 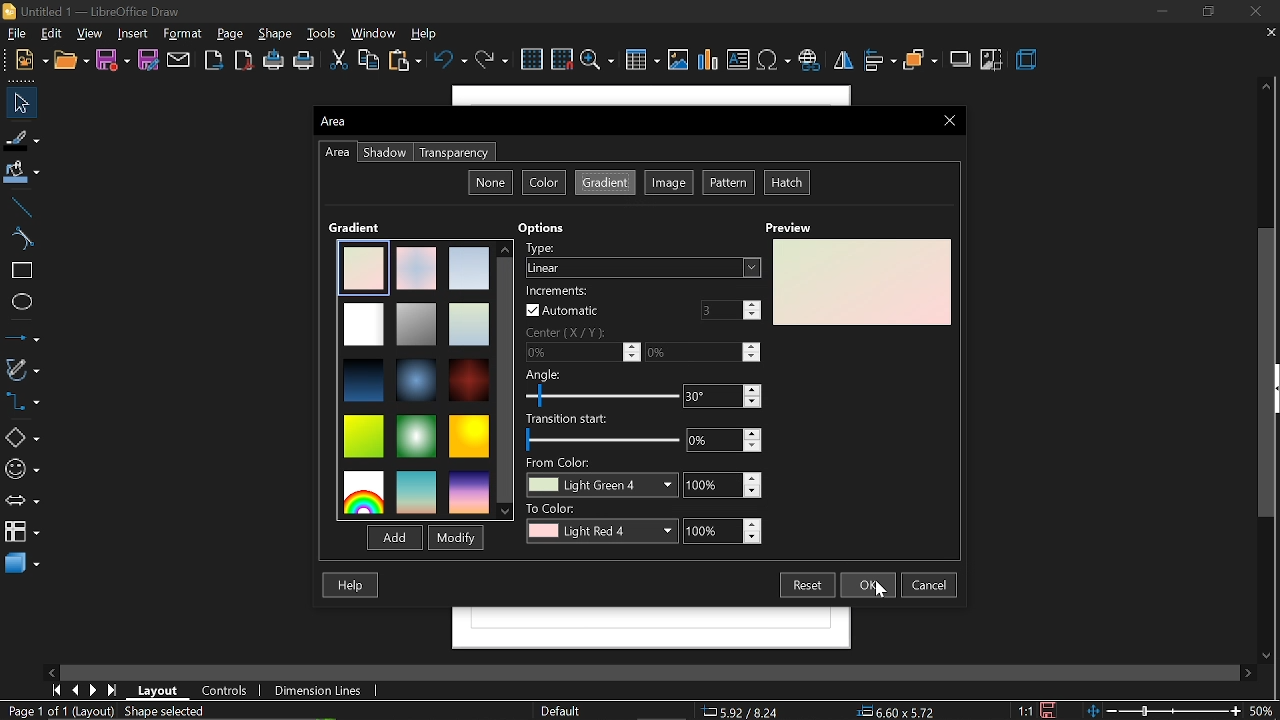 I want to click on controls, so click(x=225, y=689).